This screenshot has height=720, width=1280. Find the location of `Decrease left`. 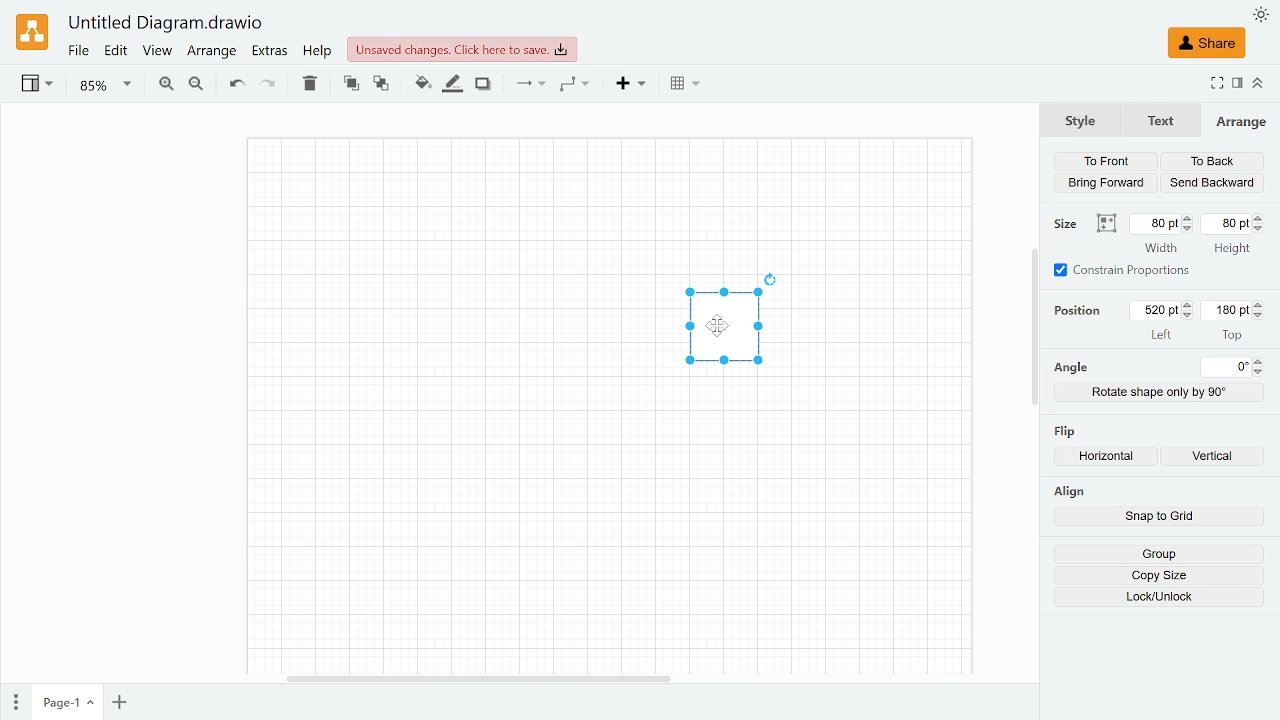

Decrease left is located at coordinates (1190, 316).